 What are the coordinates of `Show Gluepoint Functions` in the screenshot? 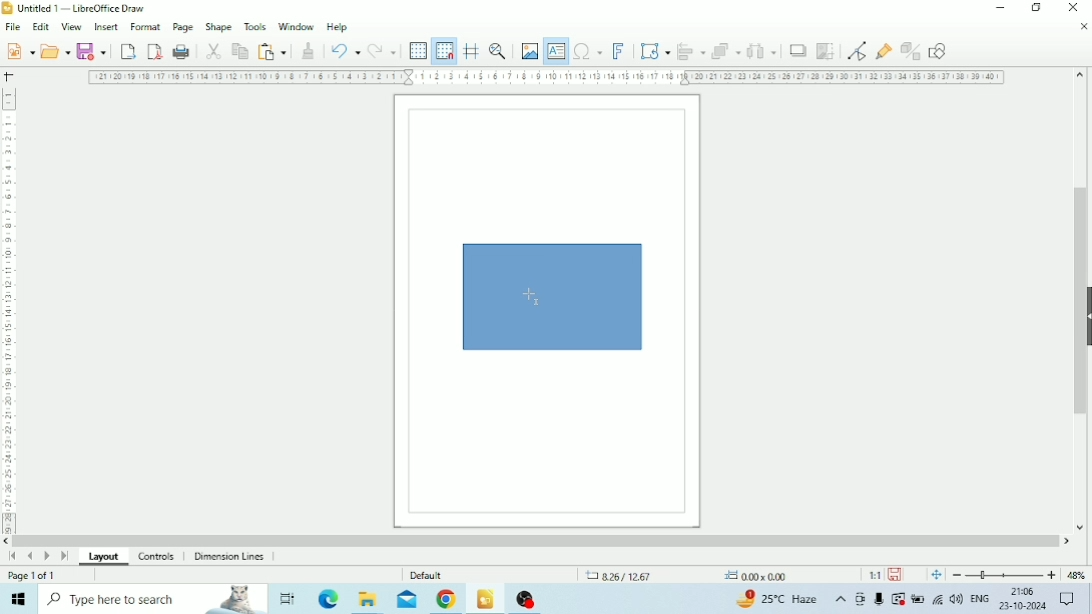 It's located at (882, 52).